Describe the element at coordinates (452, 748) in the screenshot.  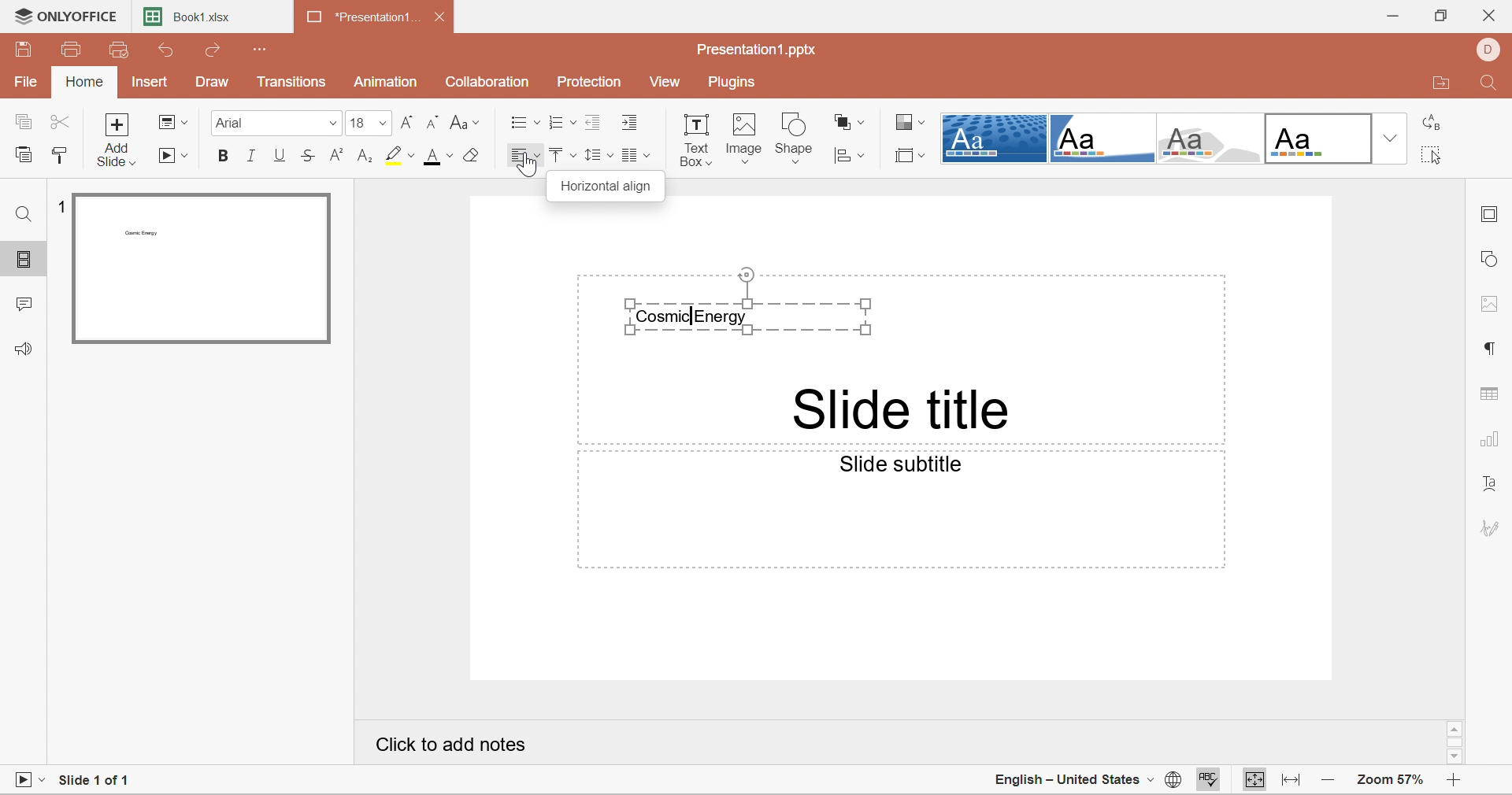
I see `Click to add notes` at that location.